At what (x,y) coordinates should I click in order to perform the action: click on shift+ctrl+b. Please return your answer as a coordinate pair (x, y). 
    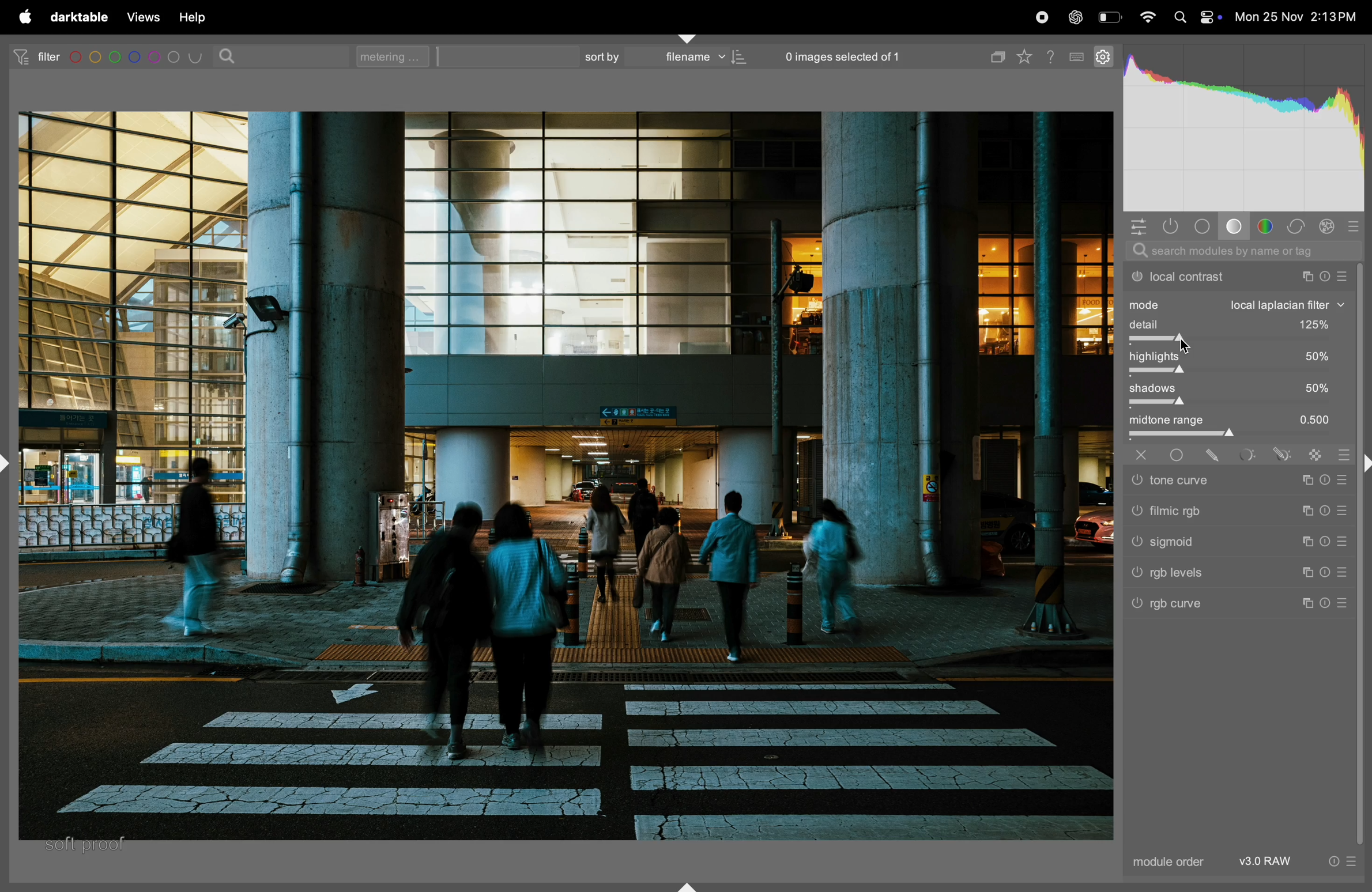
    Looking at the image, I should click on (687, 886).